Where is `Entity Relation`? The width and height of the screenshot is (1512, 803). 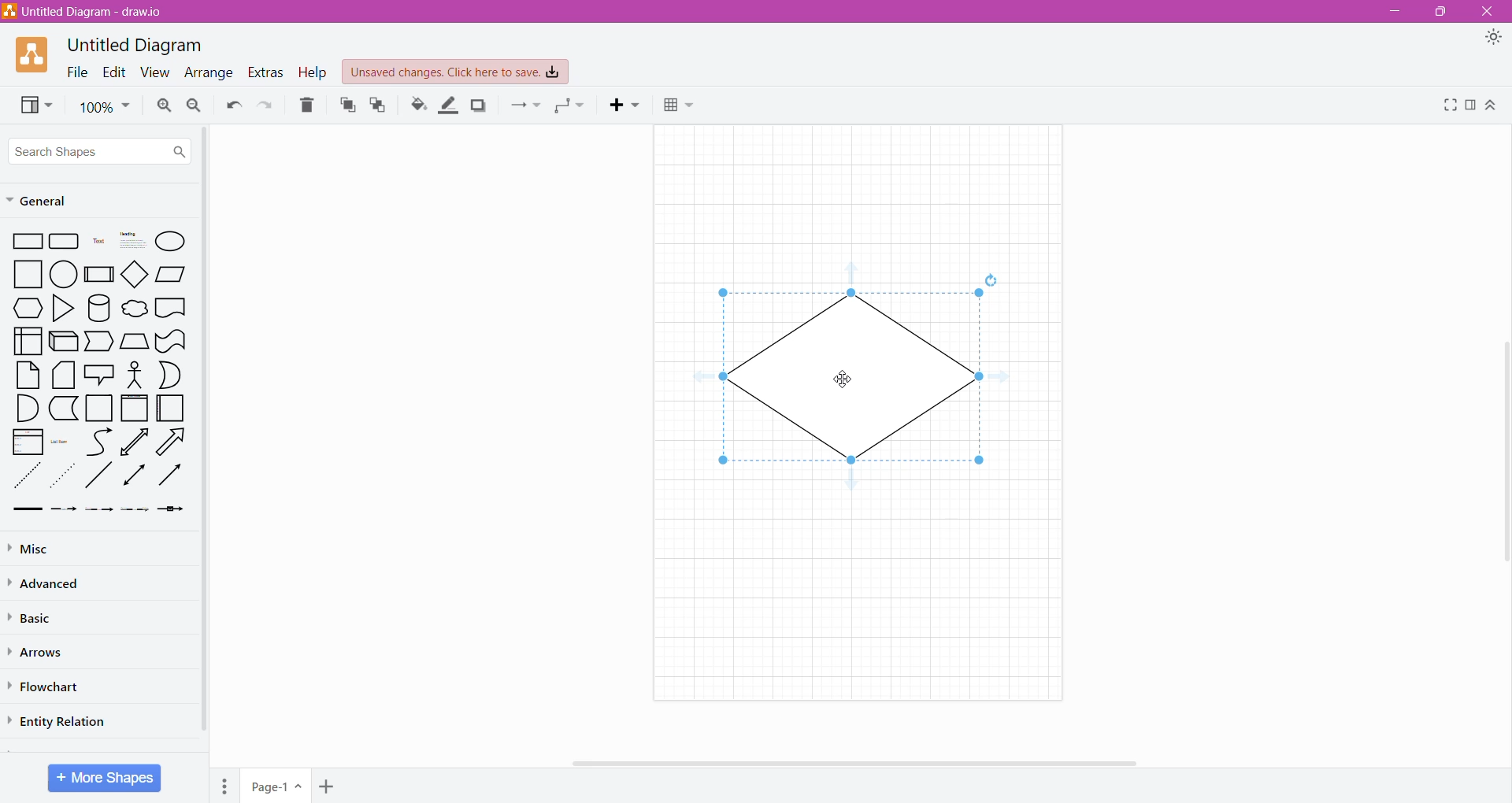
Entity Relation is located at coordinates (58, 722).